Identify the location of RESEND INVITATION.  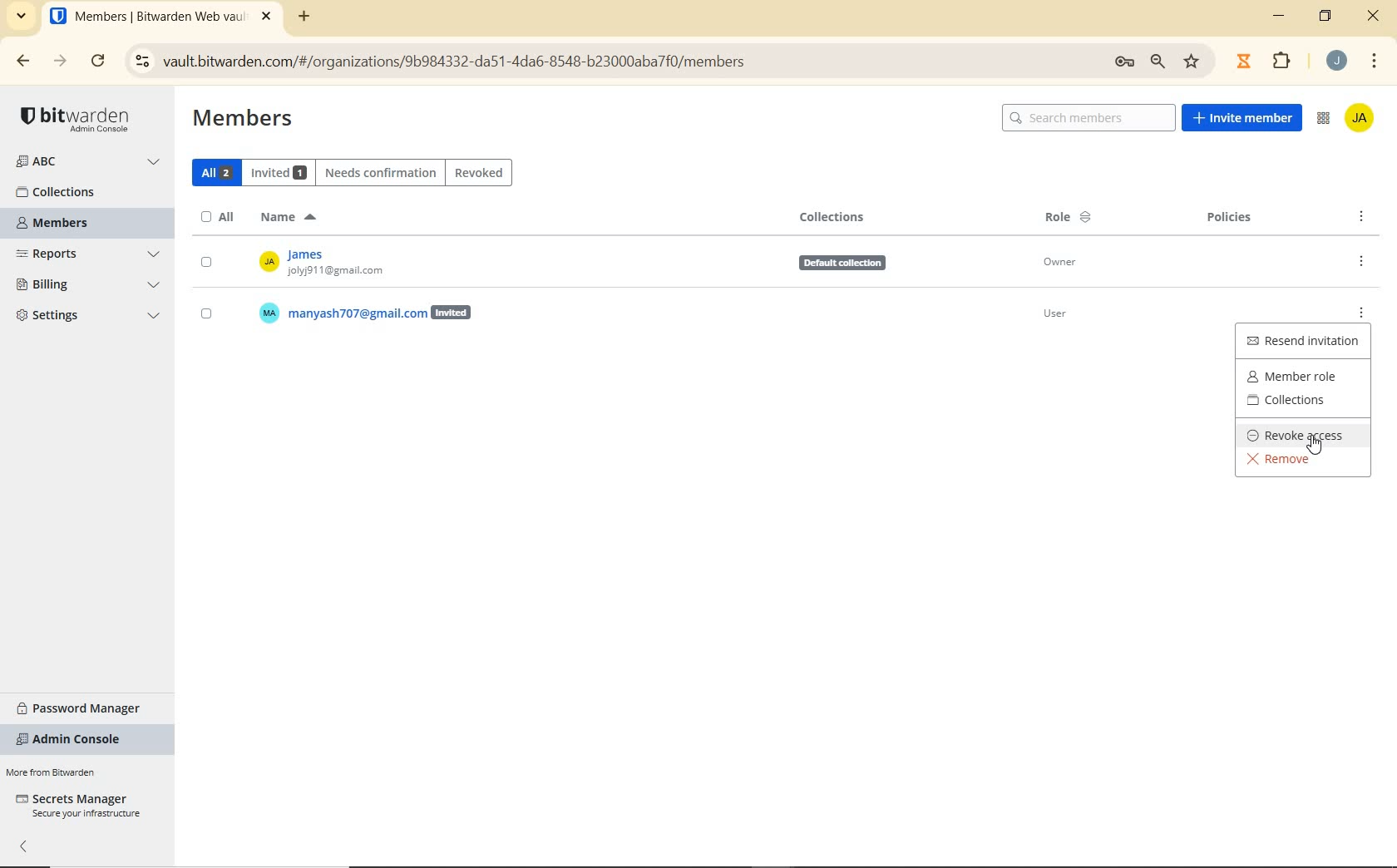
(1306, 341).